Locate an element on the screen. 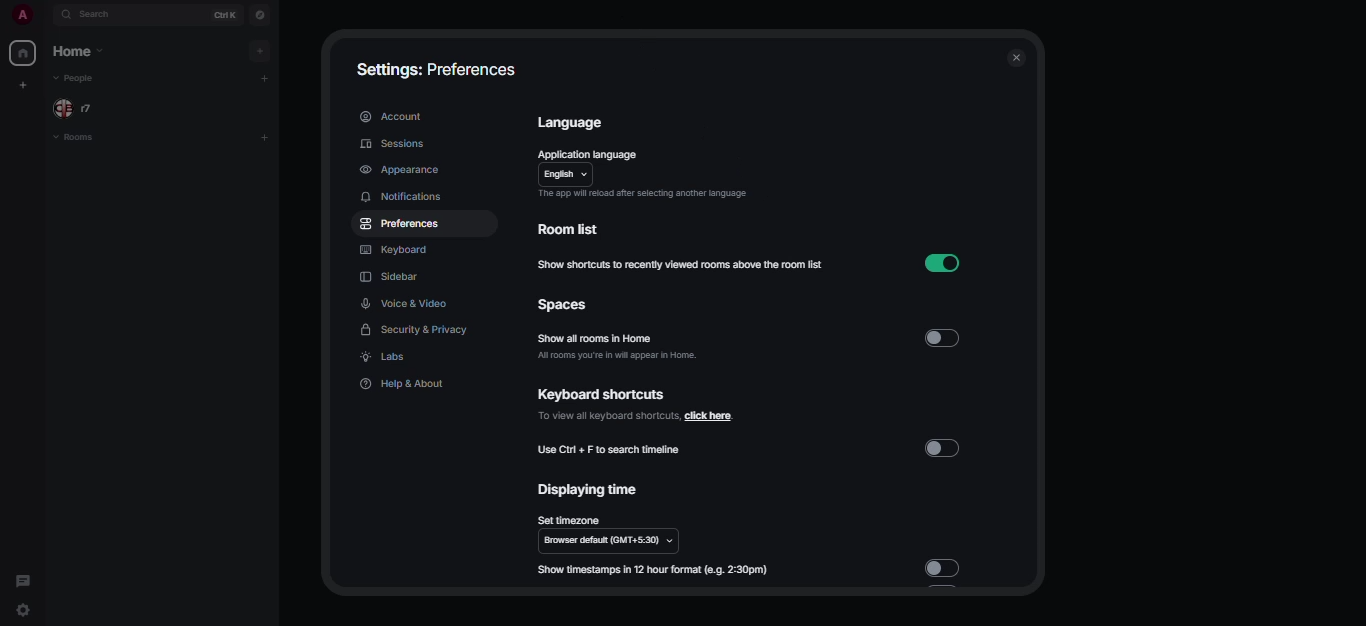 The width and height of the screenshot is (1366, 626). security & privacy is located at coordinates (410, 329).